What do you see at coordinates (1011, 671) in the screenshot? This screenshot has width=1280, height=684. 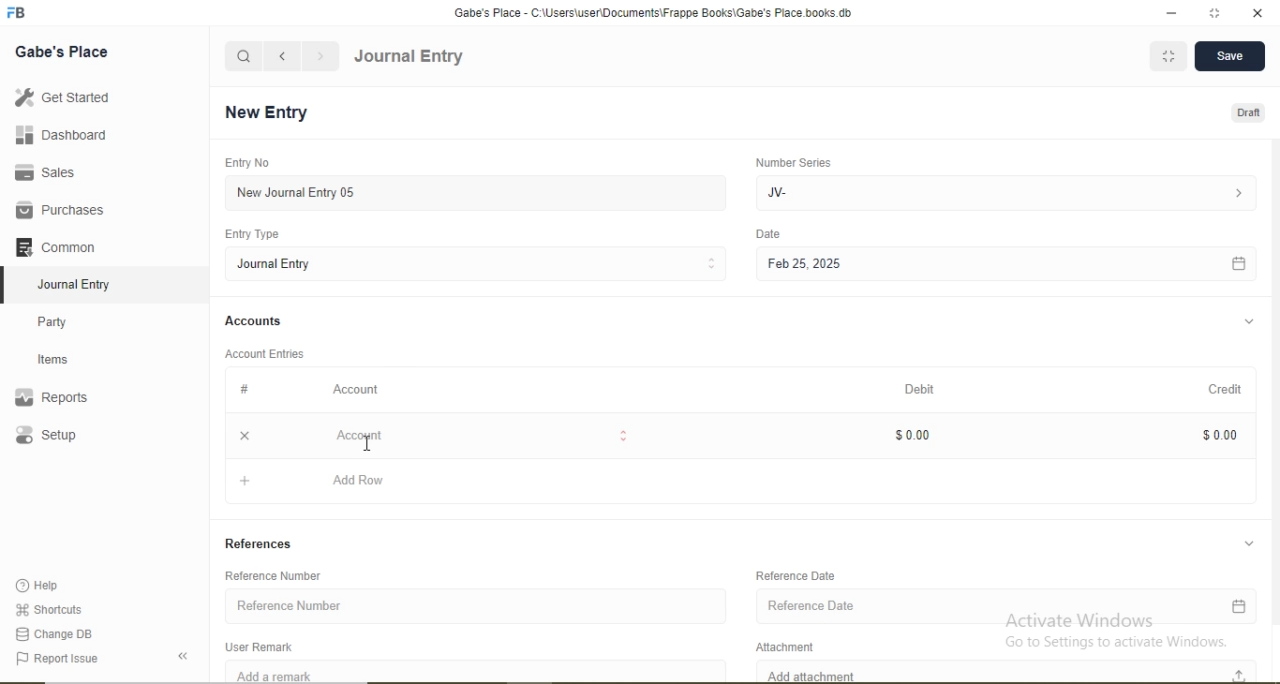 I see `Add attachment` at bounding box center [1011, 671].